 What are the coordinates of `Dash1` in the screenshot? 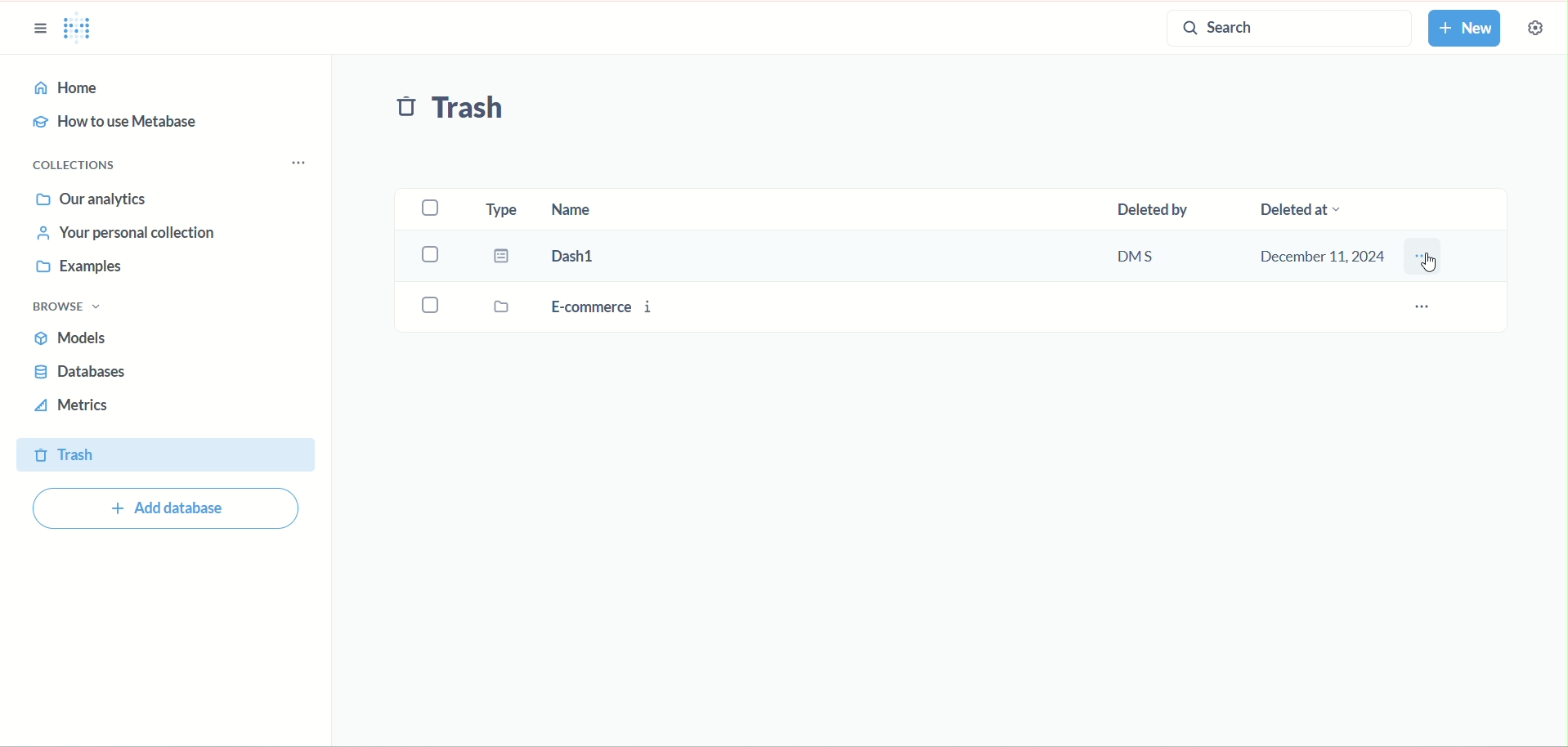 It's located at (589, 256).